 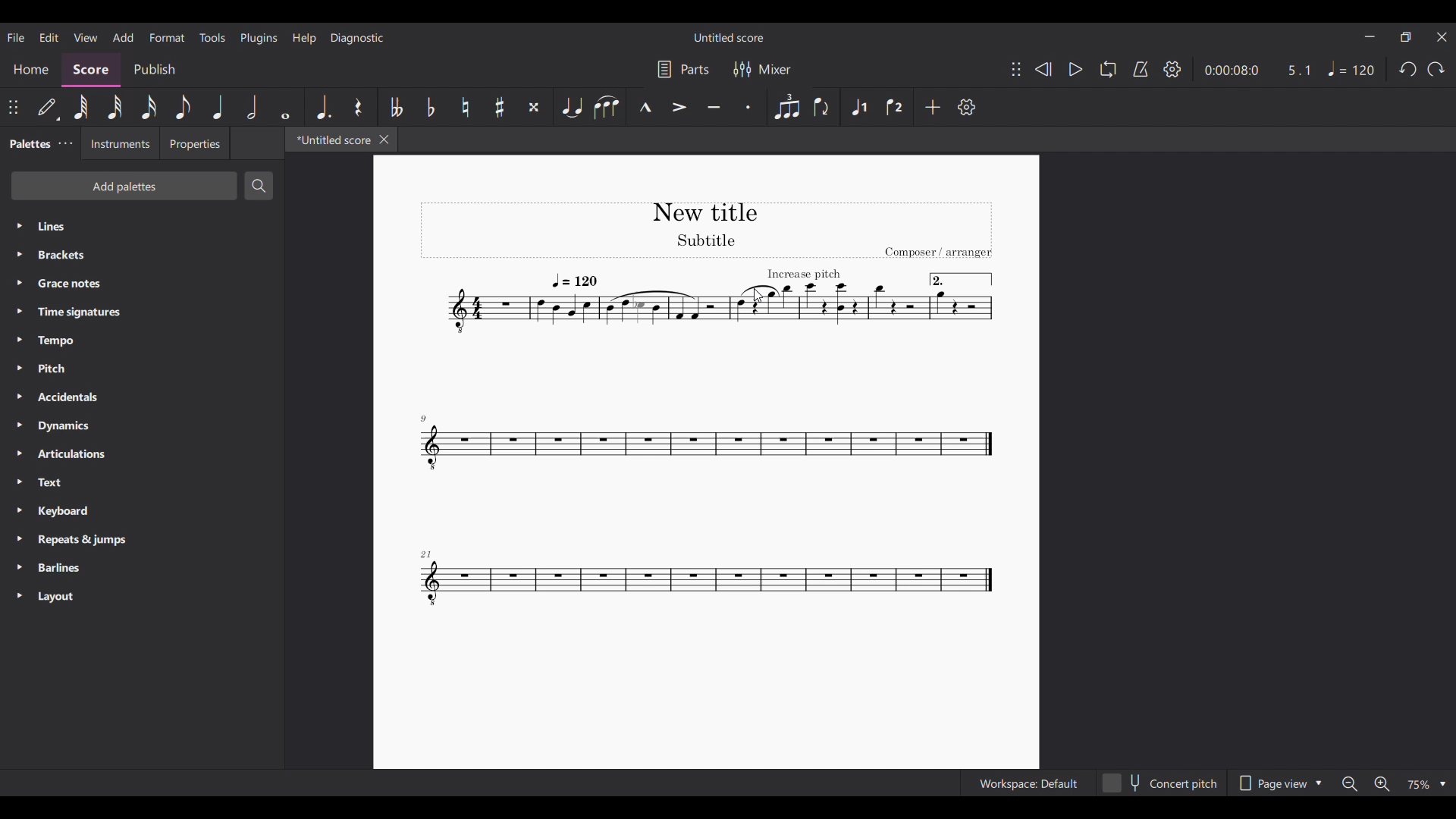 I want to click on Settings, so click(x=967, y=107).